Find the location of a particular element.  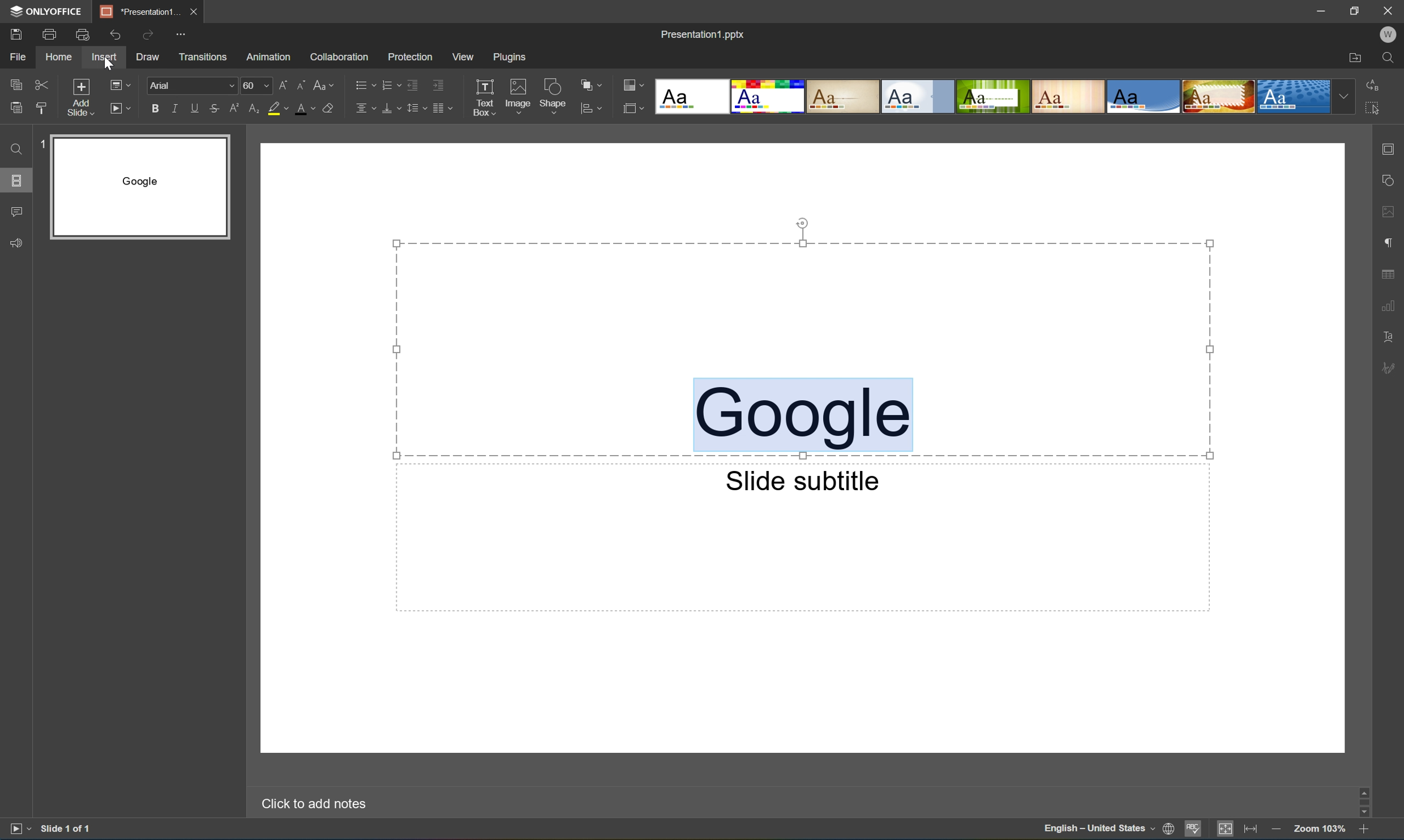

English - United States is located at coordinates (1097, 829).